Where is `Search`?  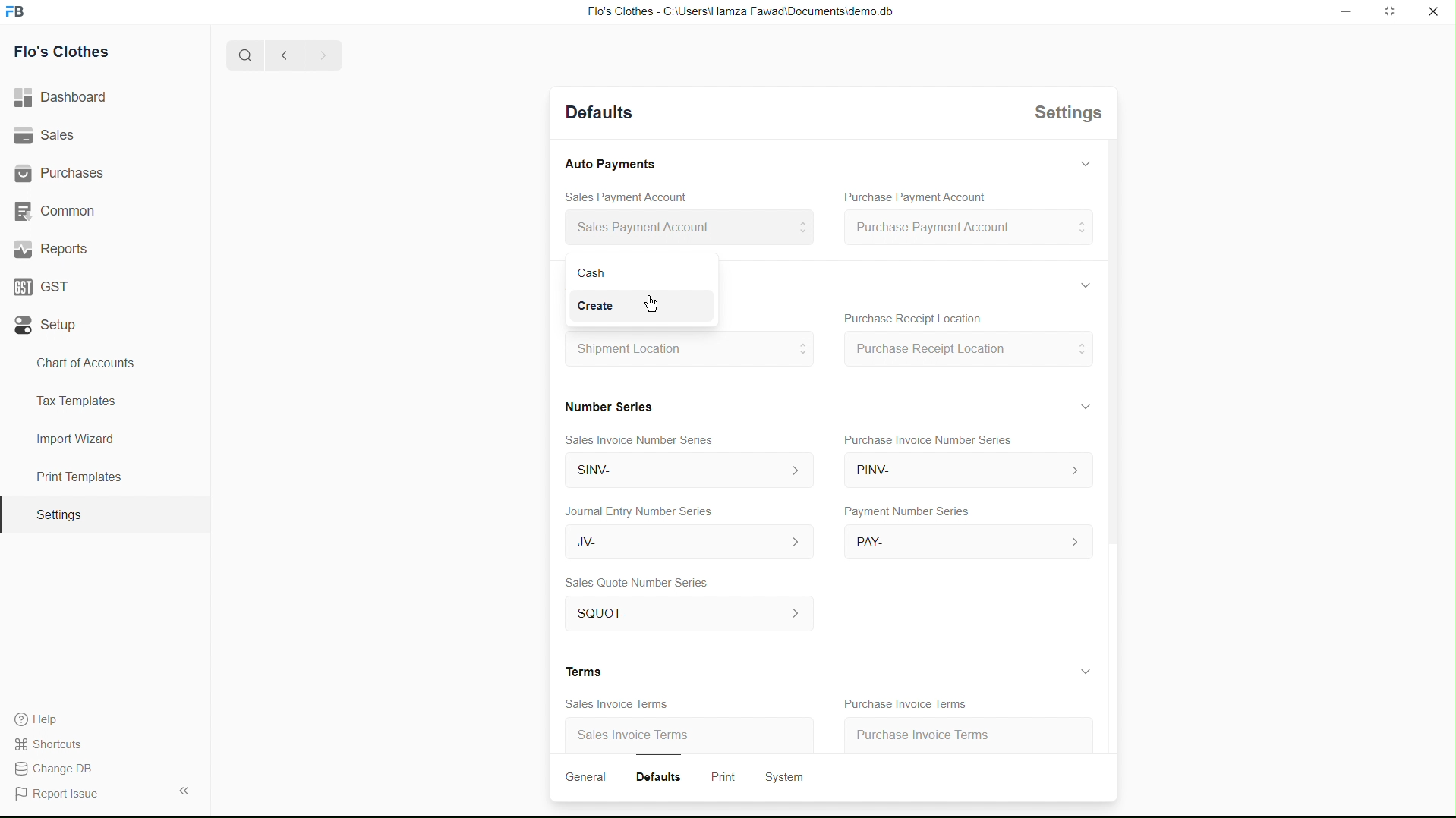 Search is located at coordinates (240, 55).